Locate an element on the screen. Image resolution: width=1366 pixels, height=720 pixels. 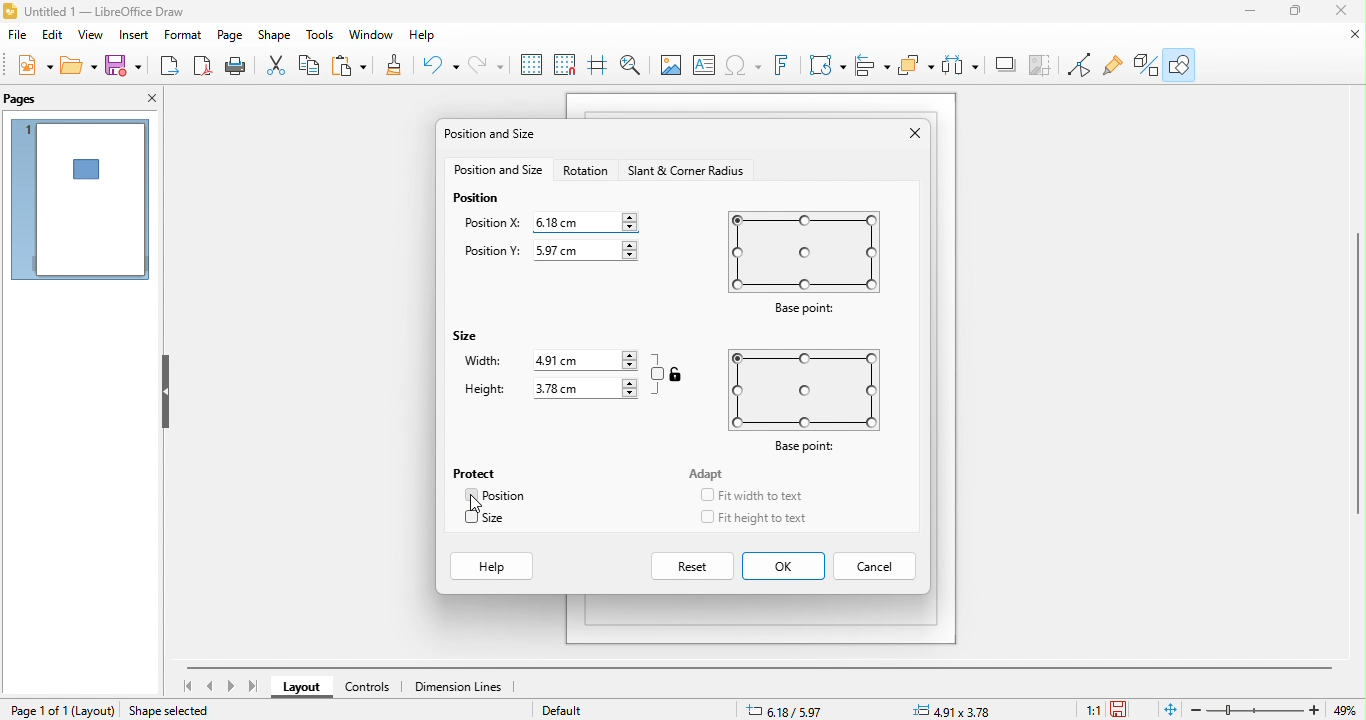
minimize is located at coordinates (1252, 11).